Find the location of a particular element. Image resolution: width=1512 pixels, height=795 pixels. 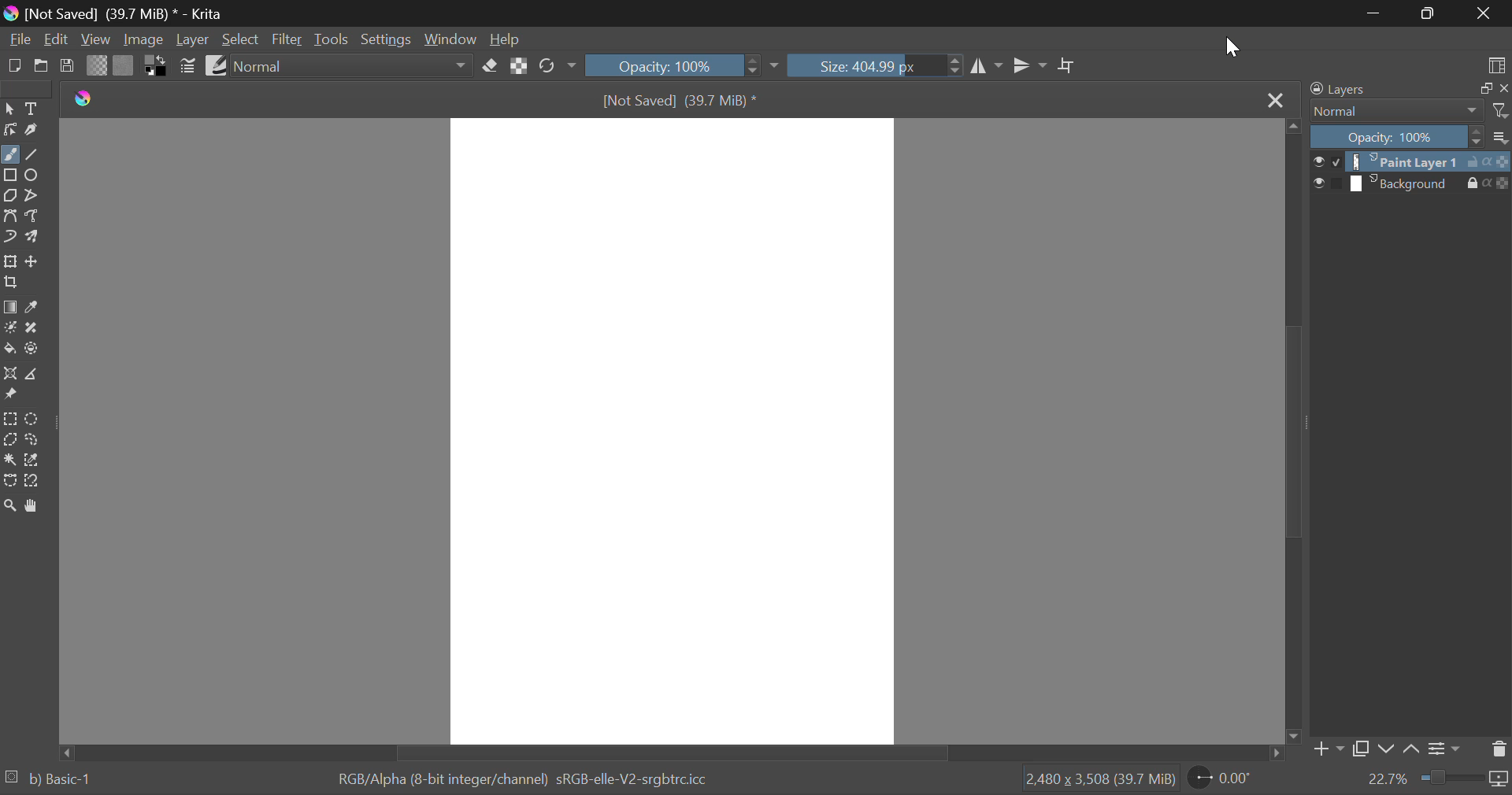

Opacity 100% is located at coordinates (684, 66).